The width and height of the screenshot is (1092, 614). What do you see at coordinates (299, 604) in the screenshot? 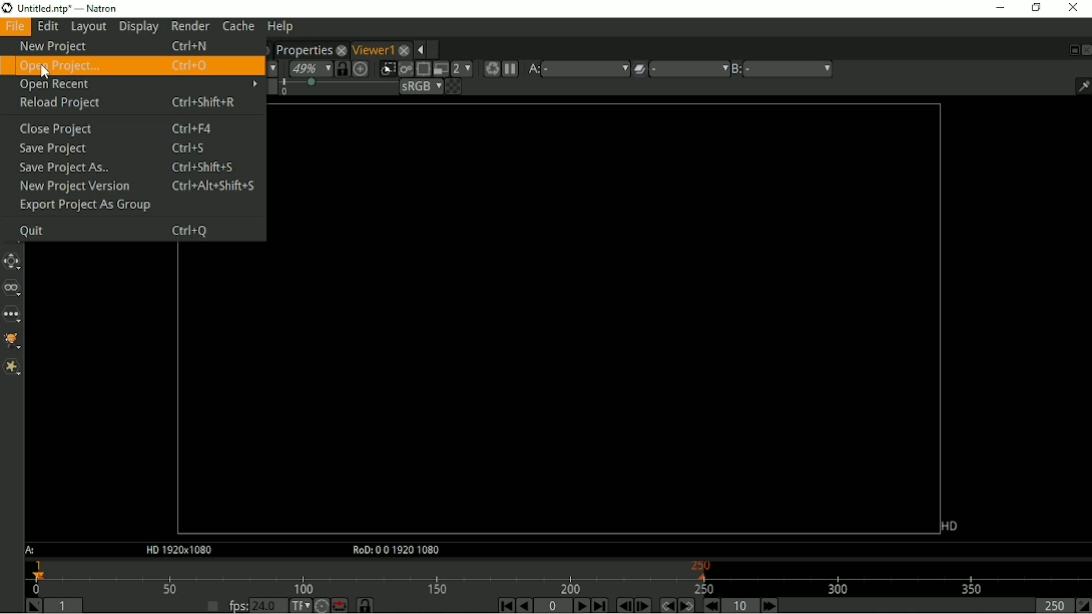
I see `Set the time display format` at bounding box center [299, 604].